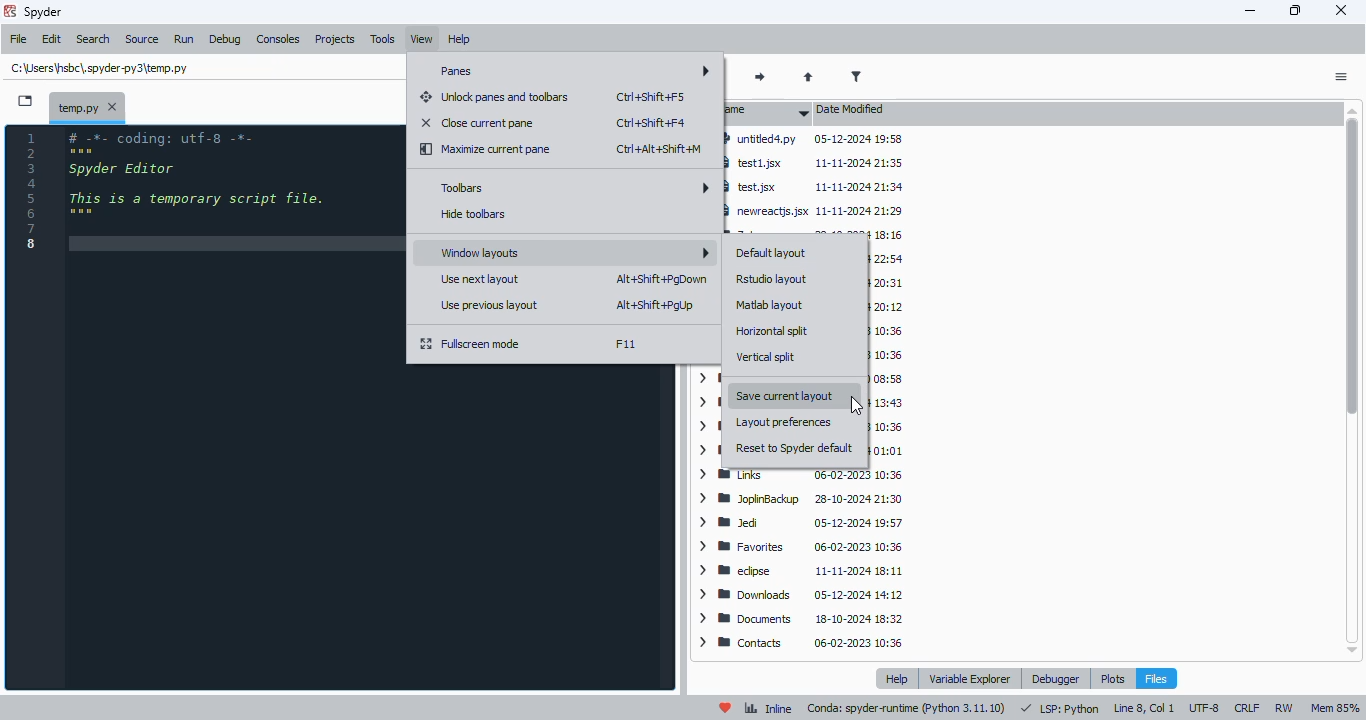 This screenshot has height=720, width=1366. What do you see at coordinates (470, 345) in the screenshot?
I see `fullscreen mode` at bounding box center [470, 345].